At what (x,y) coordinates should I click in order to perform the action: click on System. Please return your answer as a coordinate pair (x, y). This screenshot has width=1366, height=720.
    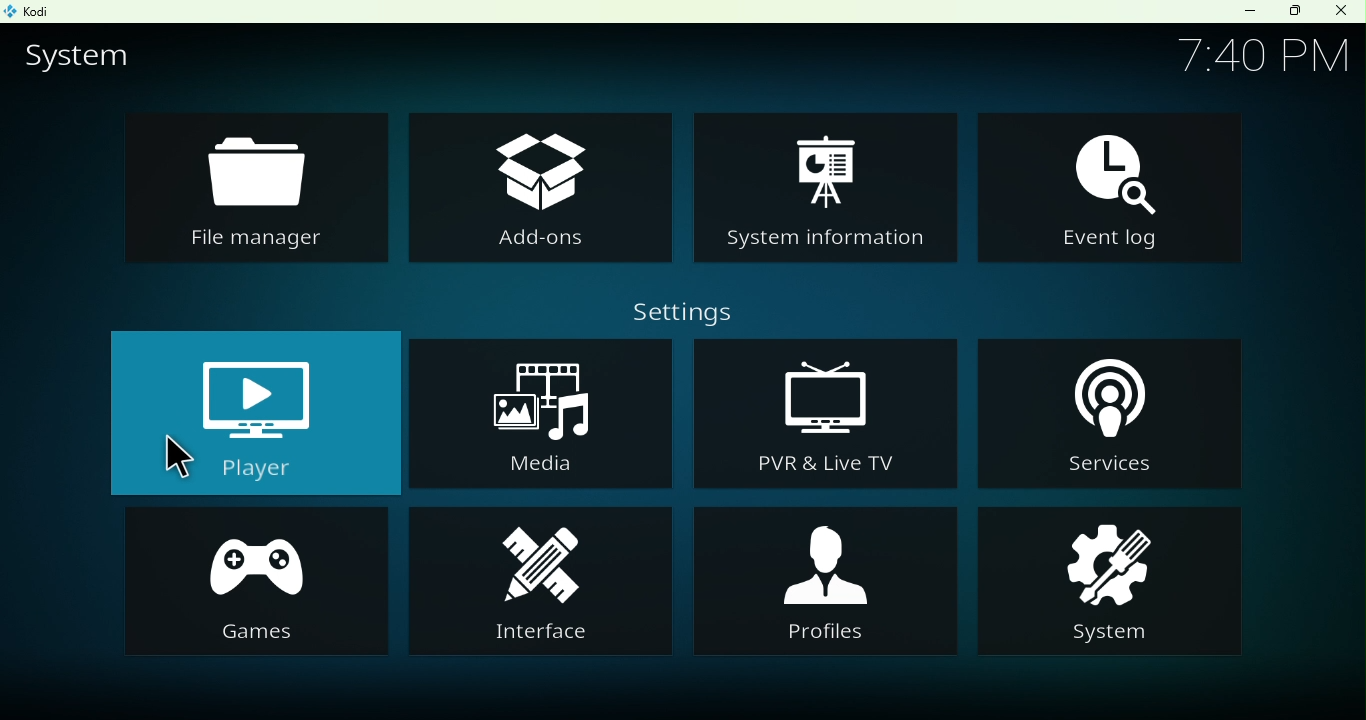
    Looking at the image, I should click on (1121, 581).